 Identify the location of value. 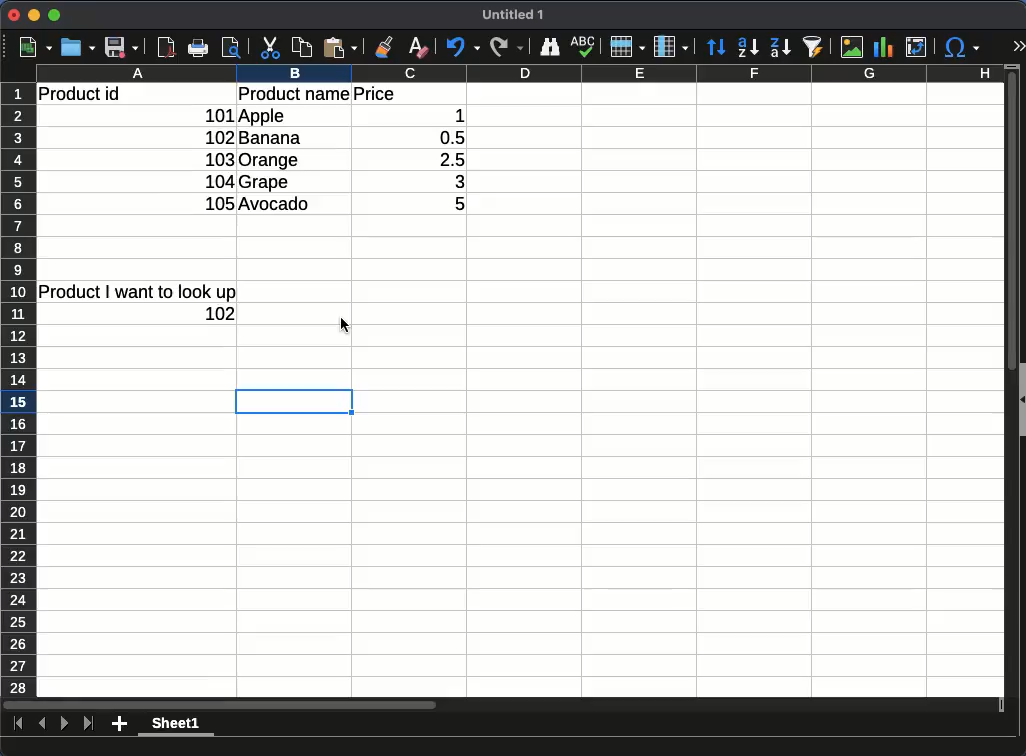
(221, 314).